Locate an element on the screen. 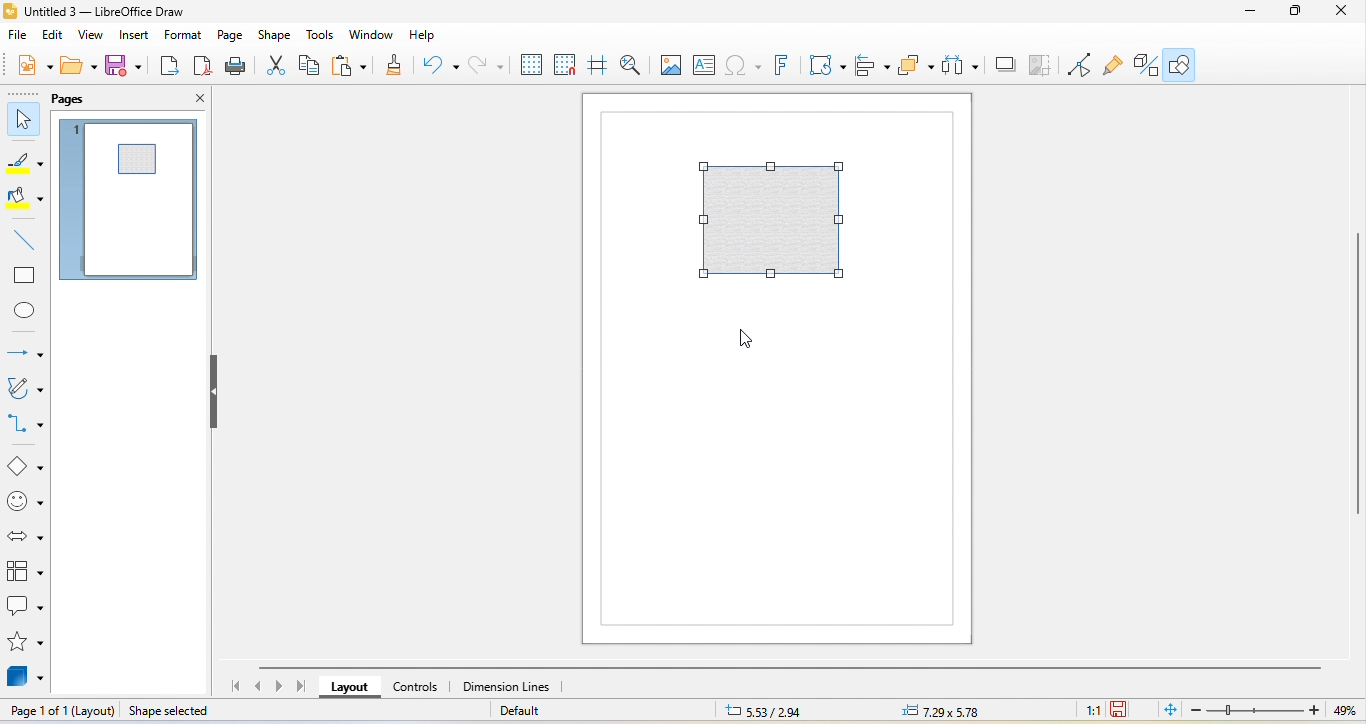  title is located at coordinates (119, 10).